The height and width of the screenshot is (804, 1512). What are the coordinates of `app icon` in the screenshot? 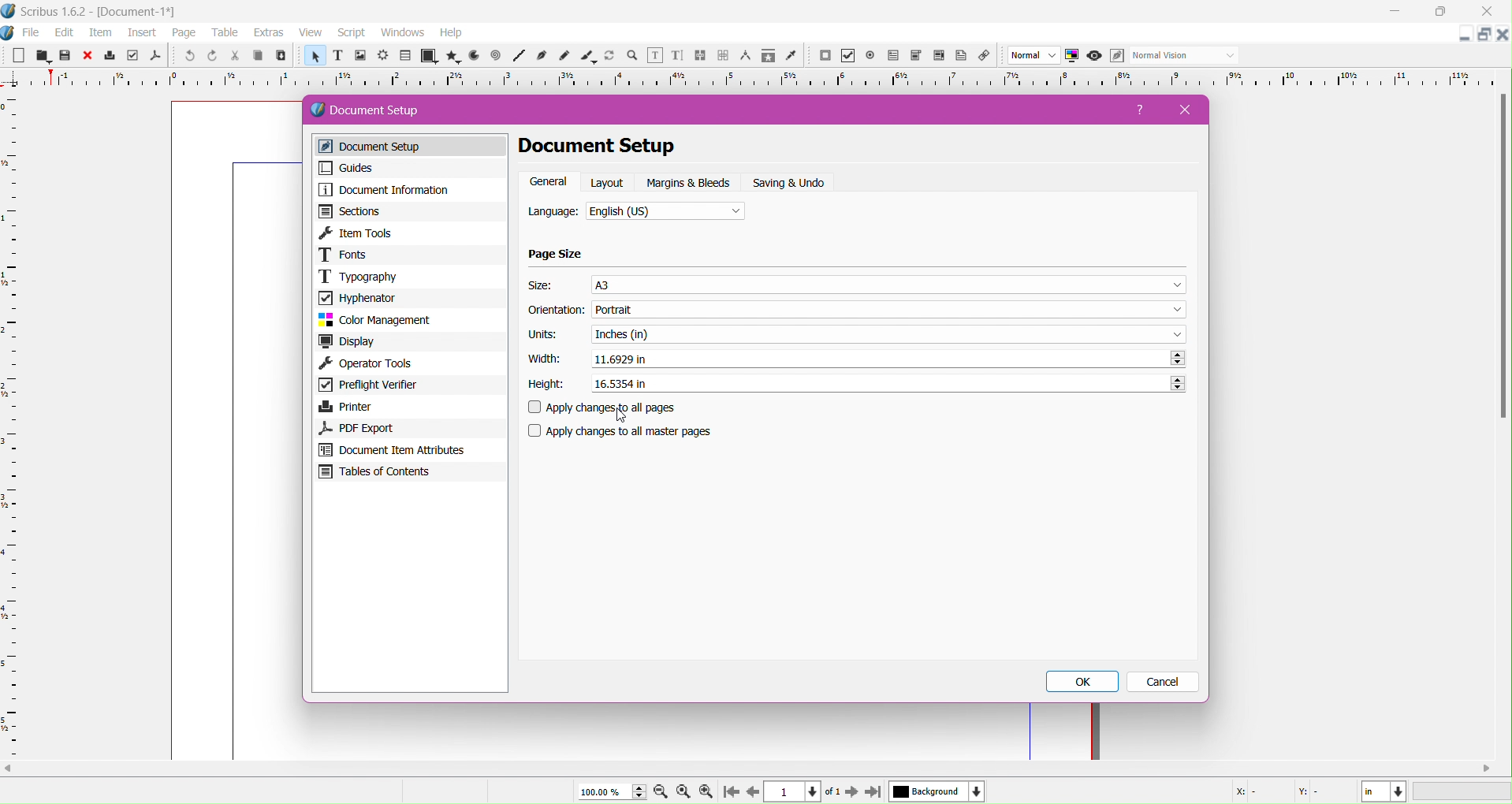 It's located at (9, 33).